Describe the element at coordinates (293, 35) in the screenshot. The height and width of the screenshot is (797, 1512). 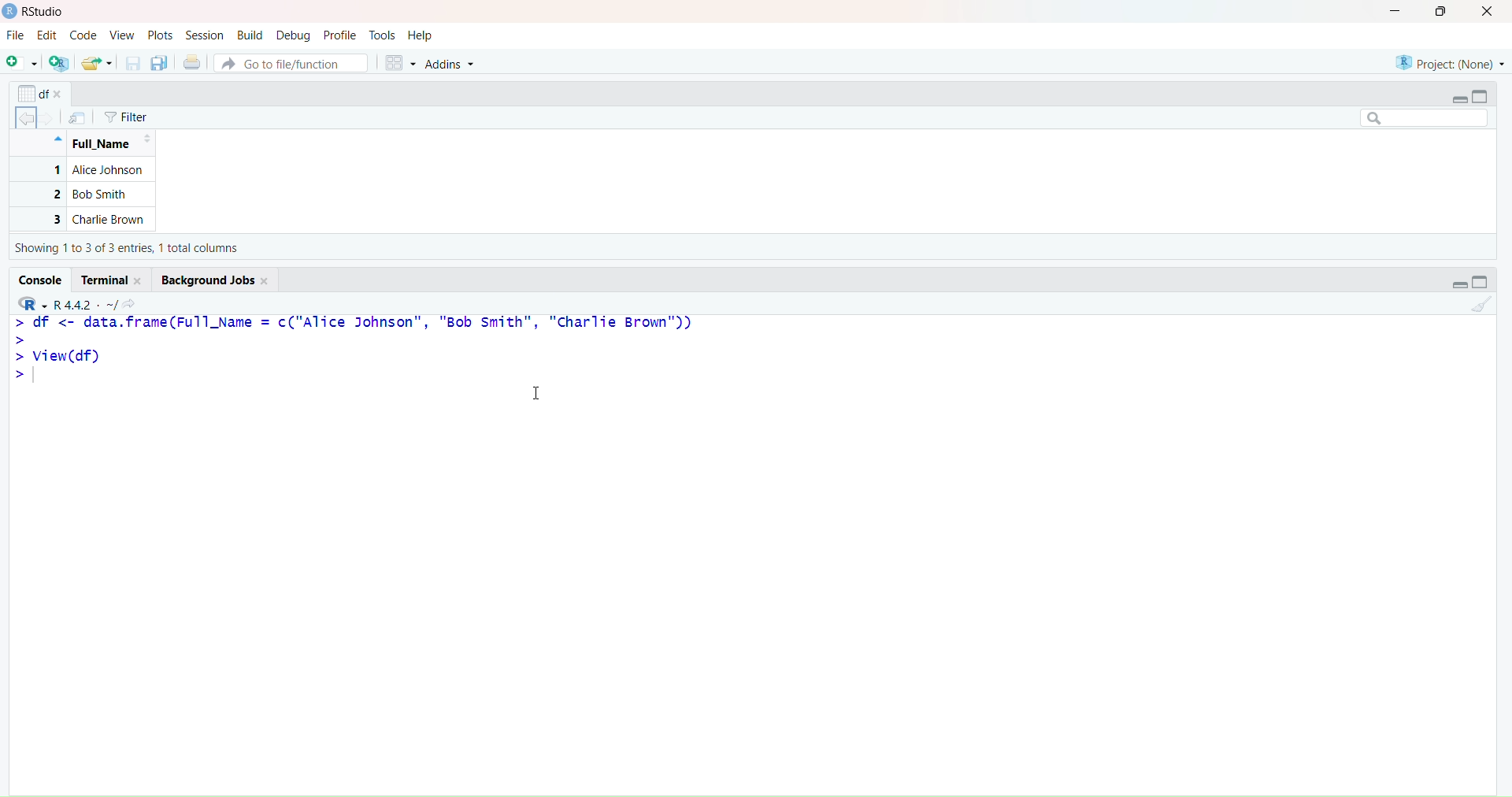
I see `Debug` at that location.